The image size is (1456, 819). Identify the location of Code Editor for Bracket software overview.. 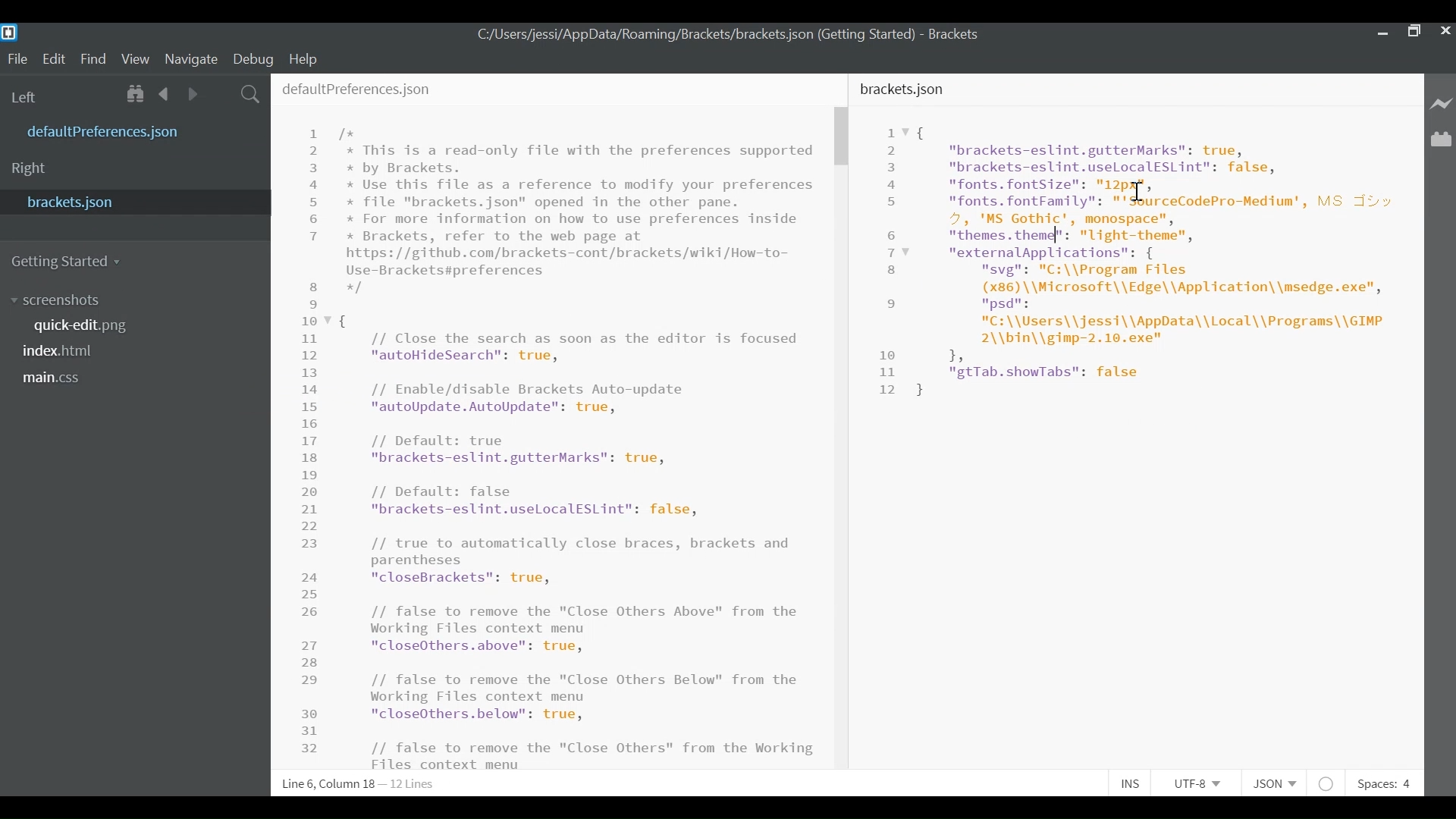
(1166, 262).